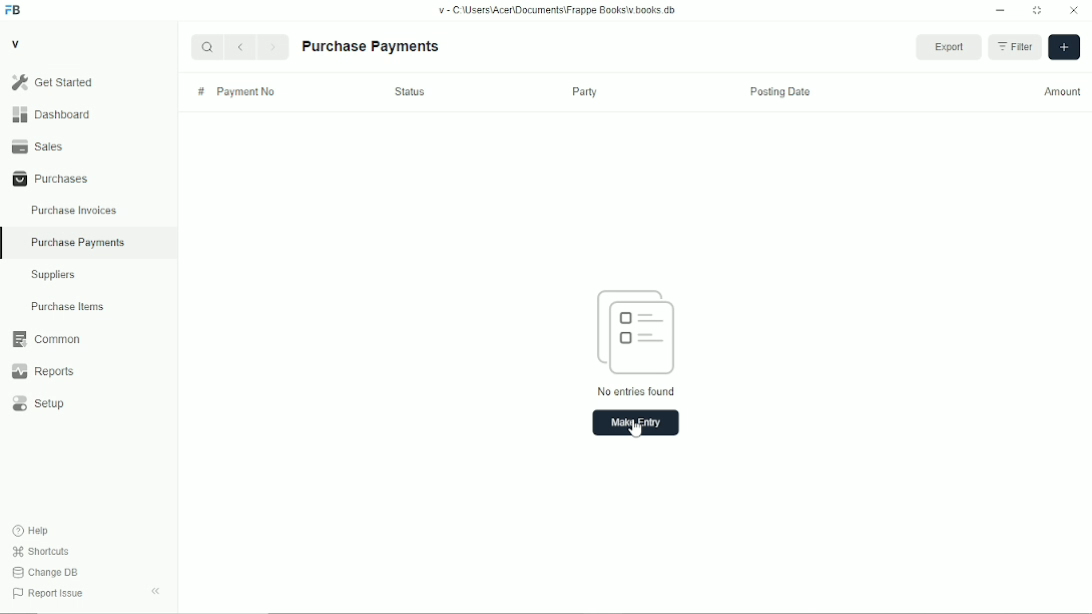 This screenshot has height=614, width=1092. Describe the element at coordinates (155, 591) in the screenshot. I see `Collapse` at that location.